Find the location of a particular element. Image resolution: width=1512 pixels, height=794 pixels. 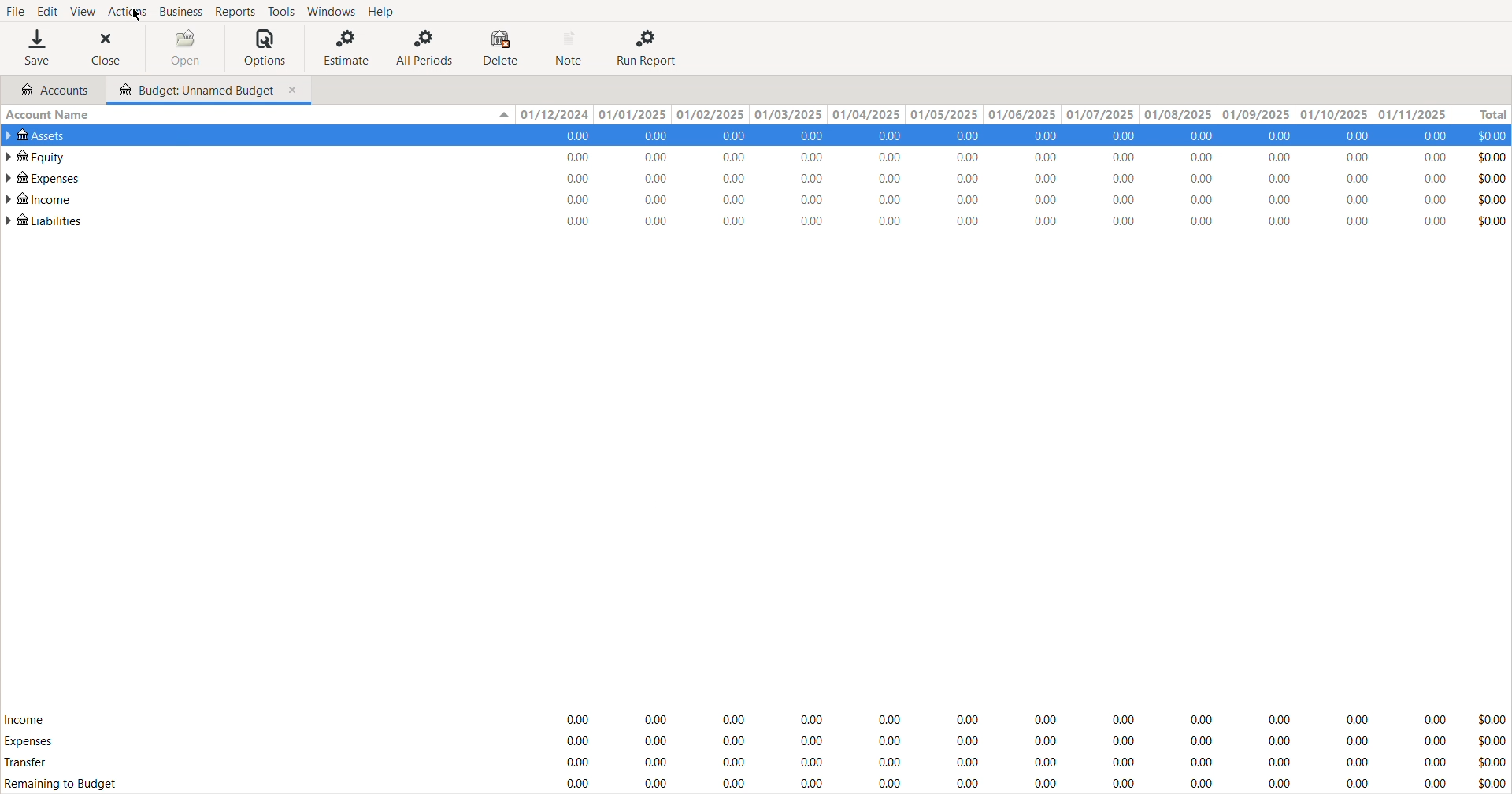

Values is located at coordinates (1031, 748).